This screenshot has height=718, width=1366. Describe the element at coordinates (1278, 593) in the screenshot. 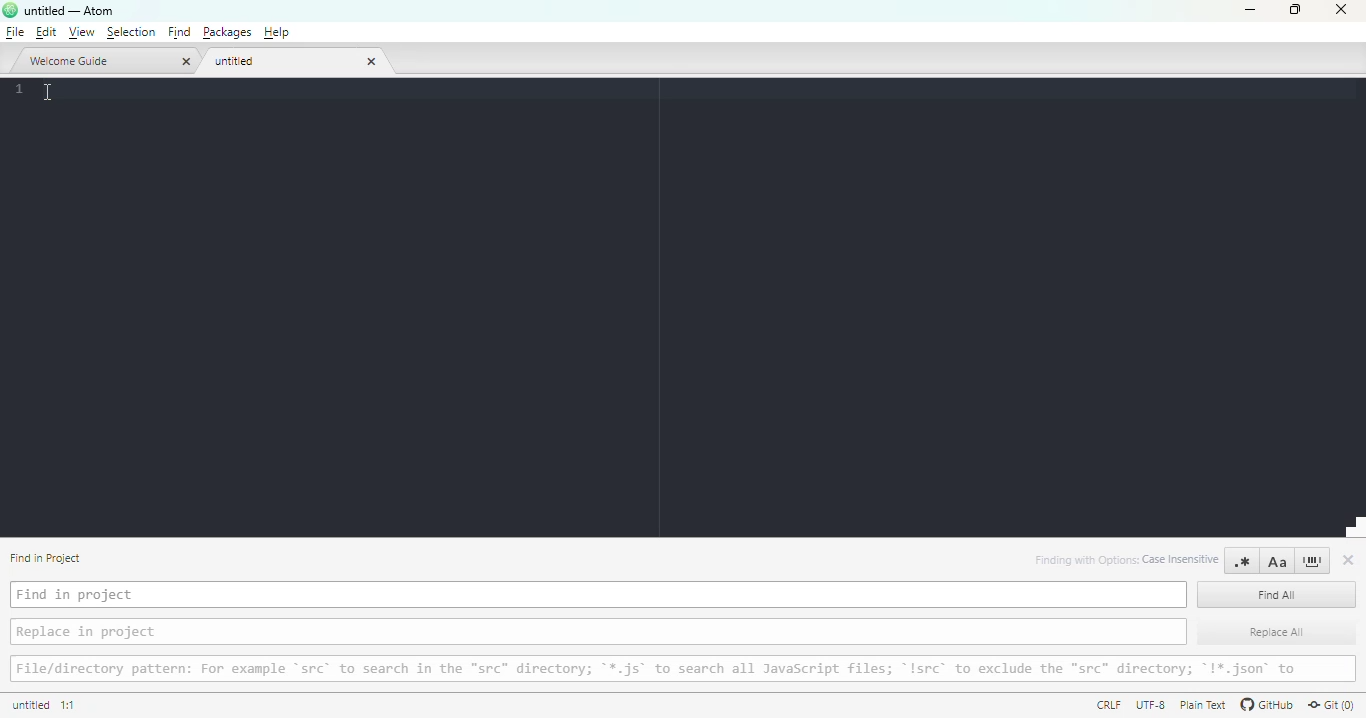

I see `find all` at that location.